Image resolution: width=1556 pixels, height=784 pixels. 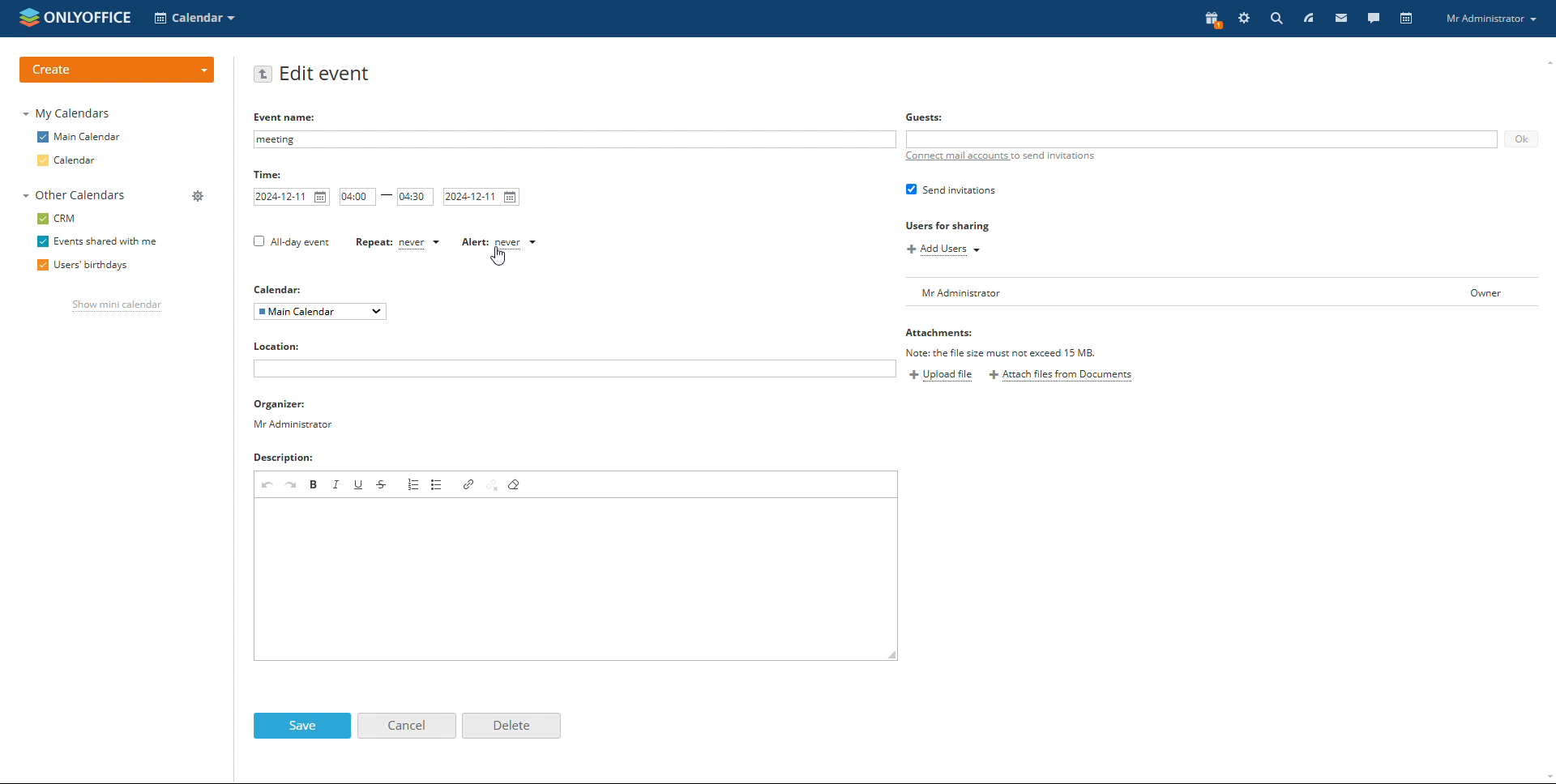 What do you see at coordinates (289, 459) in the screenshot?
I see `description` at bounding box center [289, 459].